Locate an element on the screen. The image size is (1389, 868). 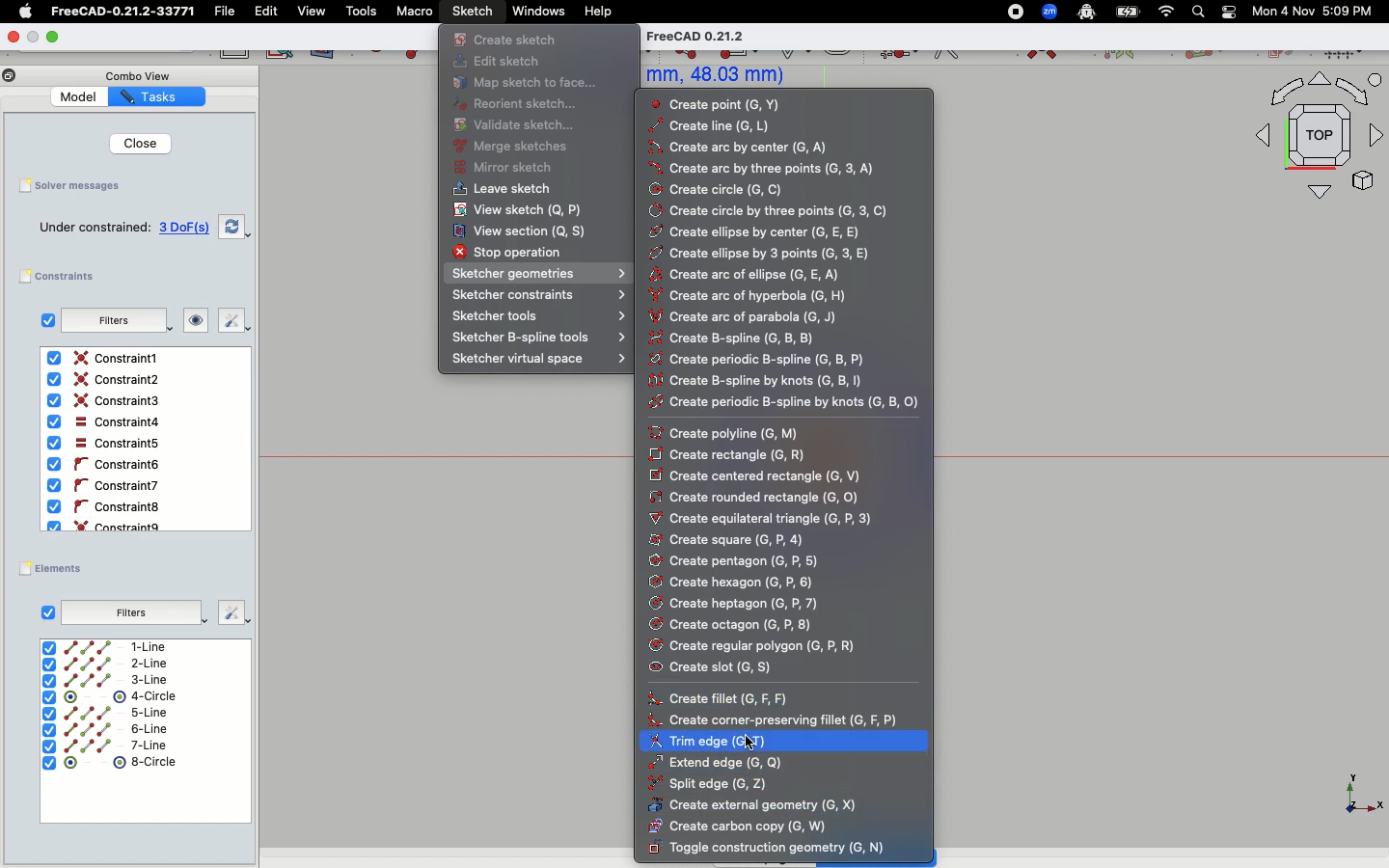
Sketcher geometries is located at coordinates (540, 275).